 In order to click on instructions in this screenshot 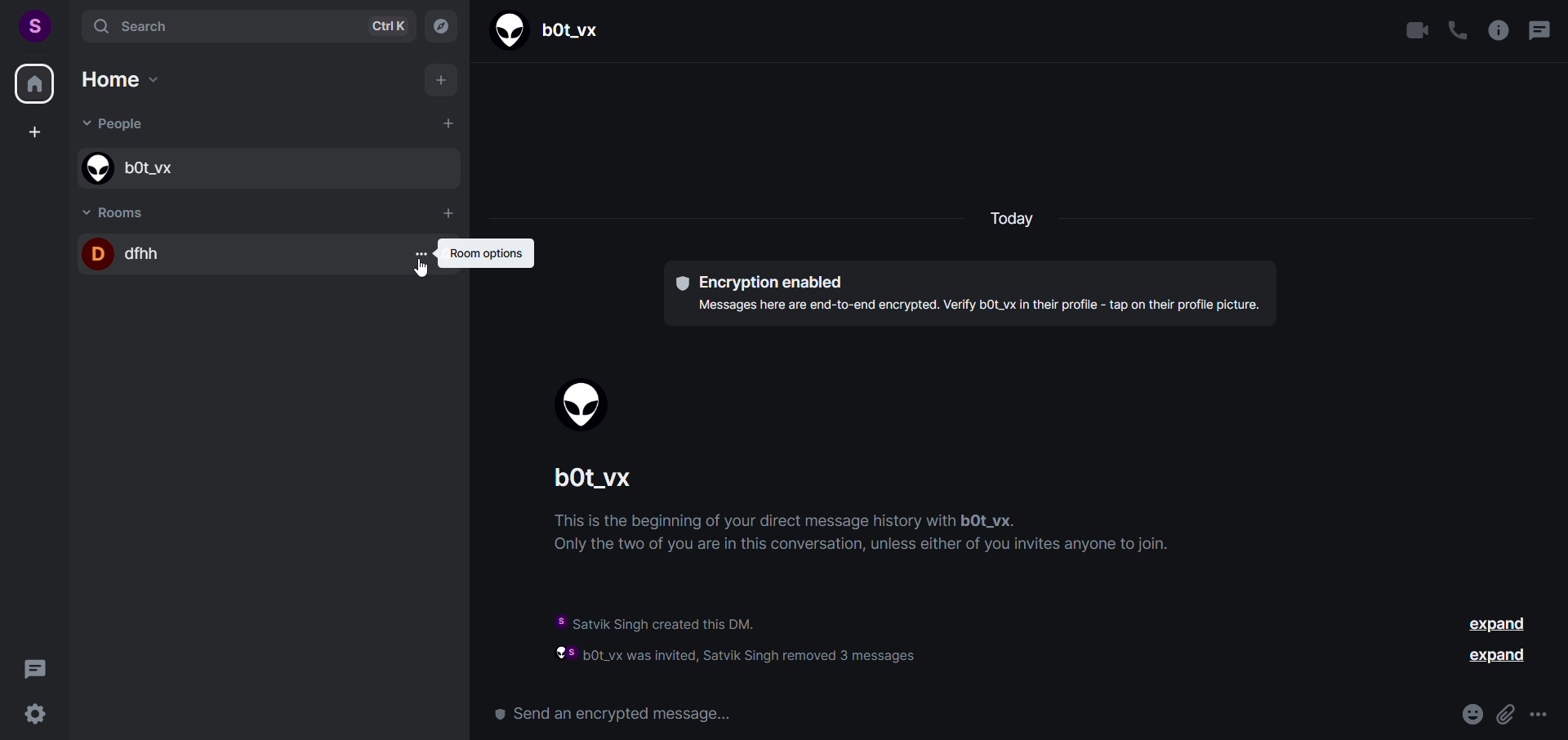, I will do `click(875, 537)`.